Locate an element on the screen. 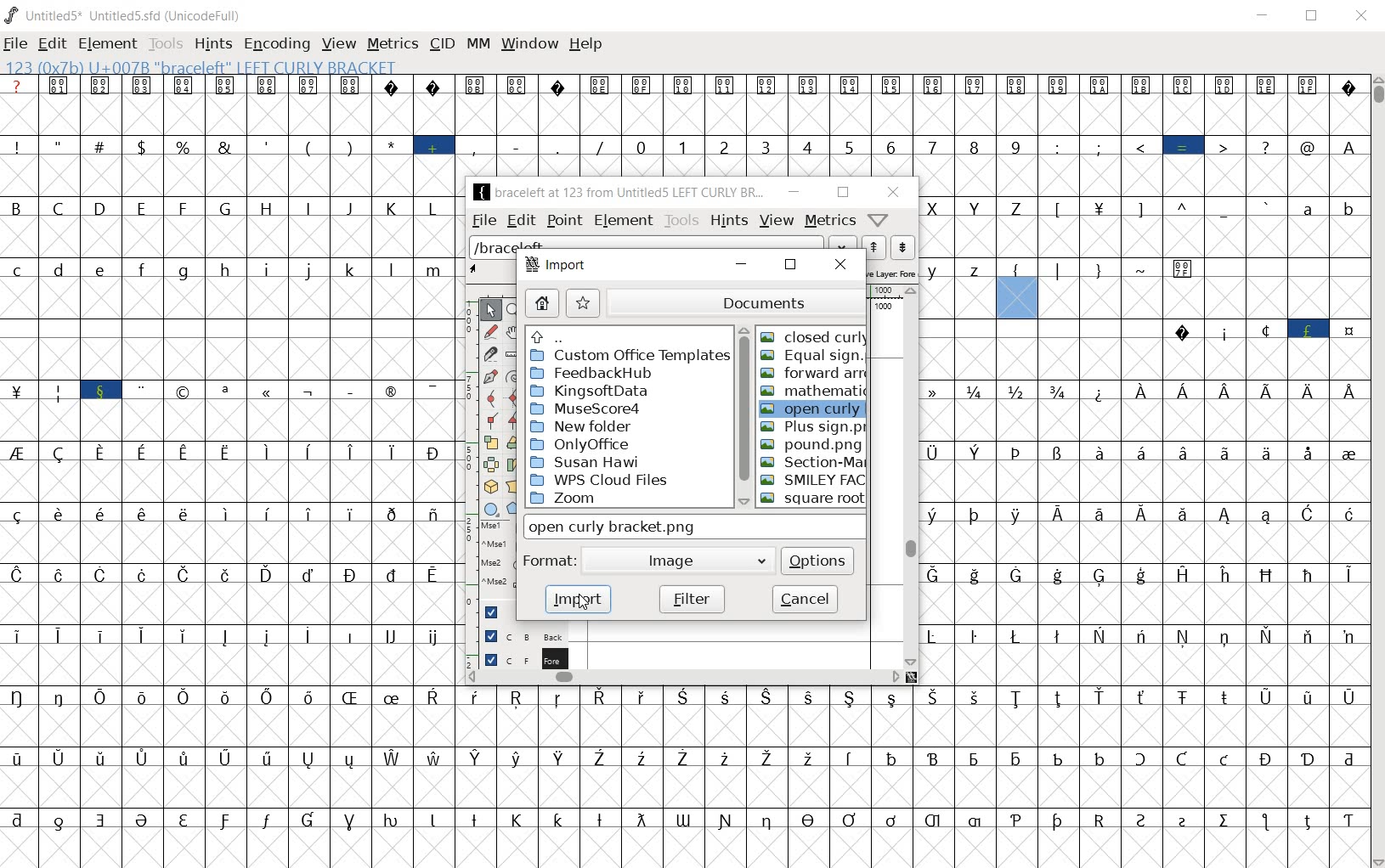 This screenshot has width=1385, height=868. view is located at coordinates (776, 222).